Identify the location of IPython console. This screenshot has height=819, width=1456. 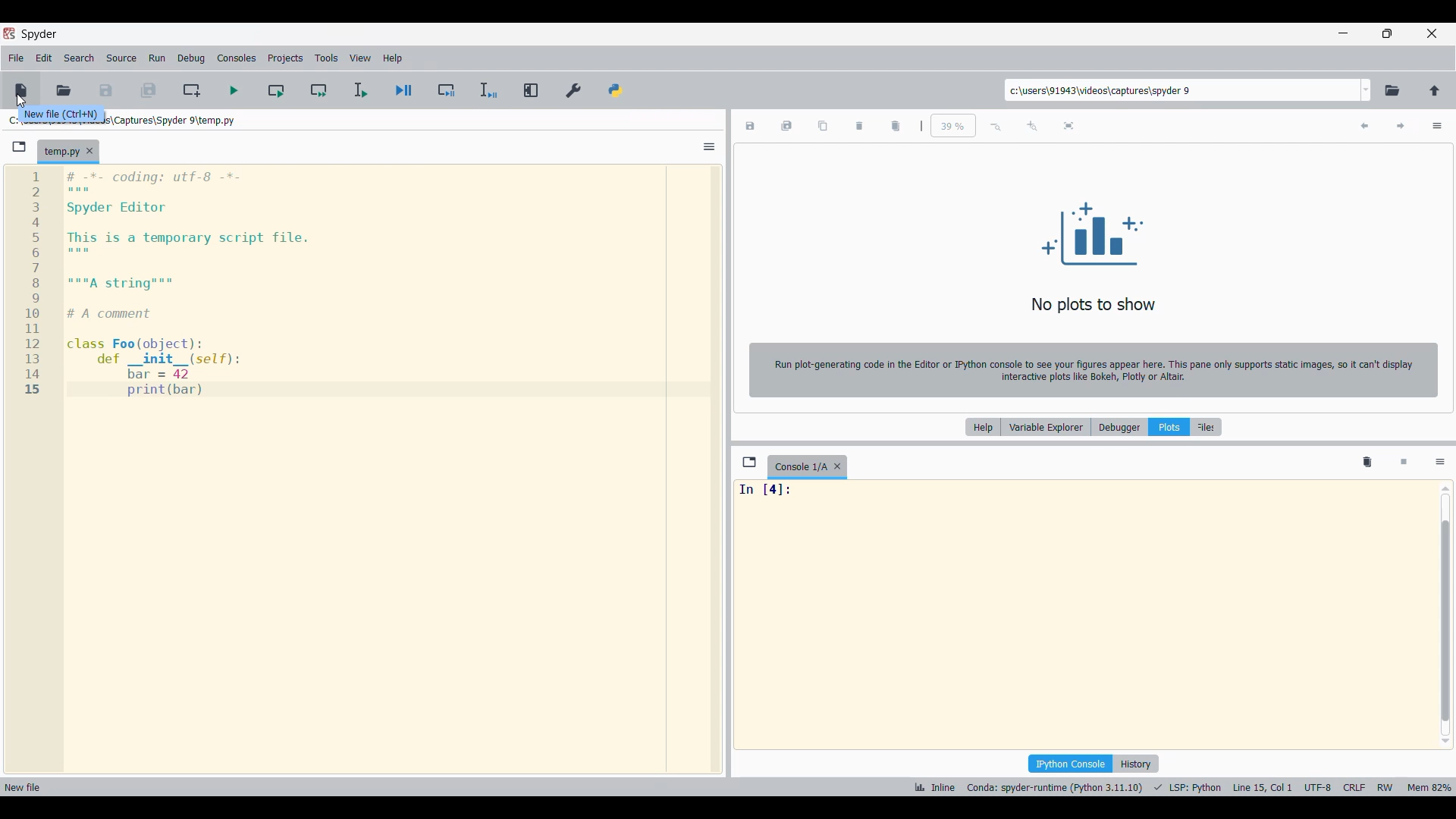
(1070, 764).